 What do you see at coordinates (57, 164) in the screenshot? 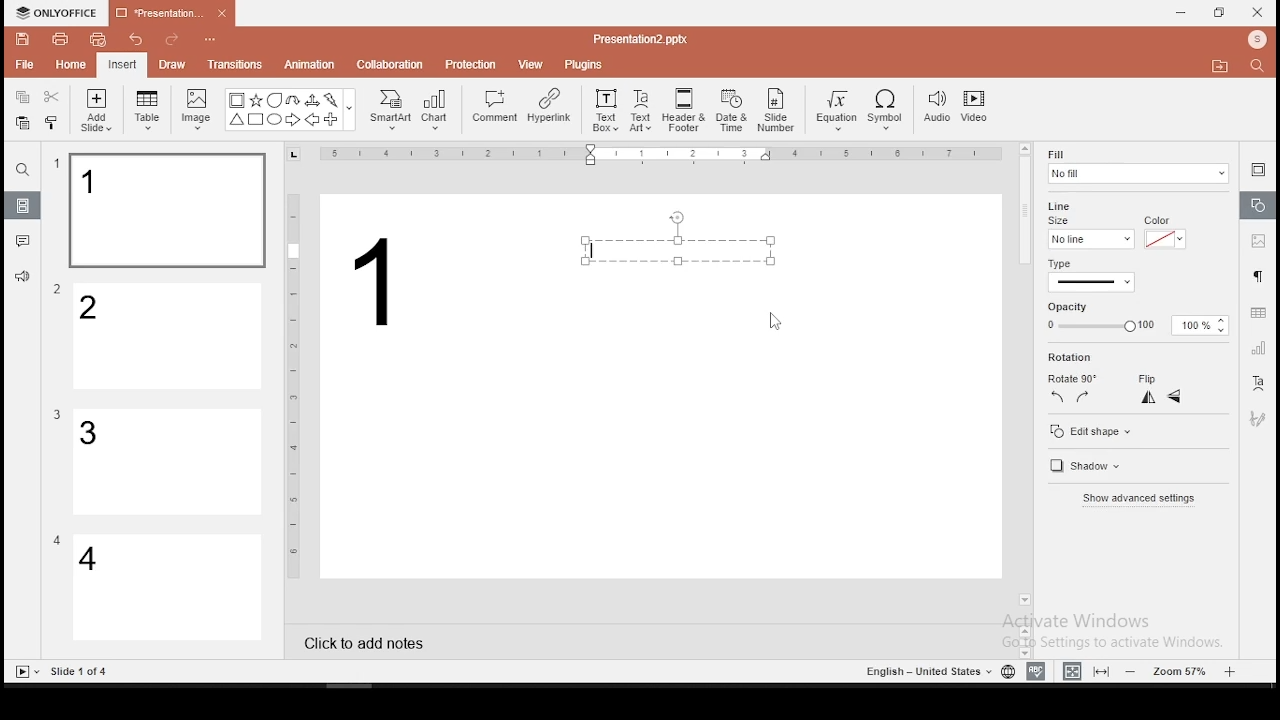
I see `` at bounding box center [57, 164].